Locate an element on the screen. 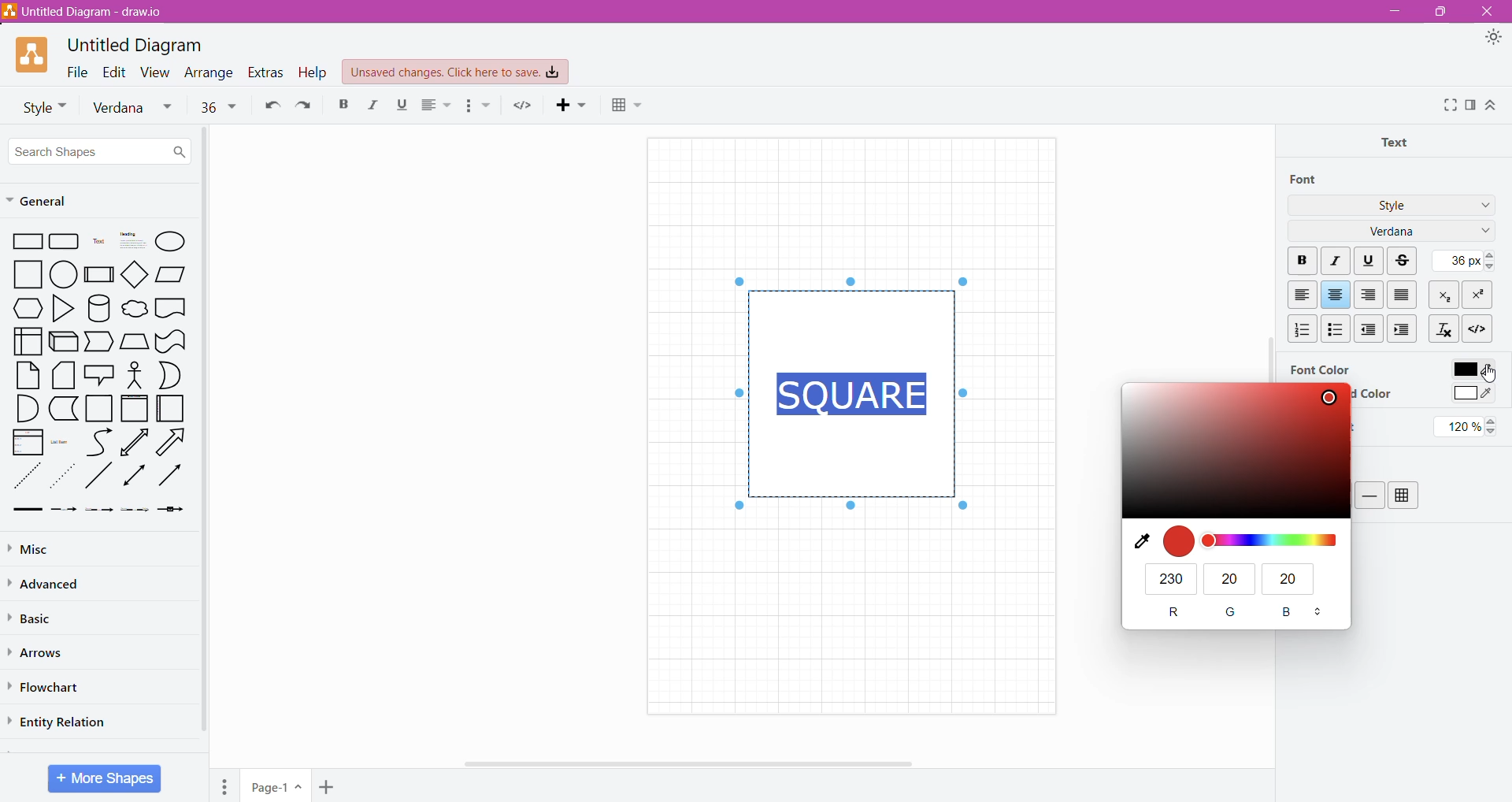  Text Alignment is located at coordinates (438, 105).